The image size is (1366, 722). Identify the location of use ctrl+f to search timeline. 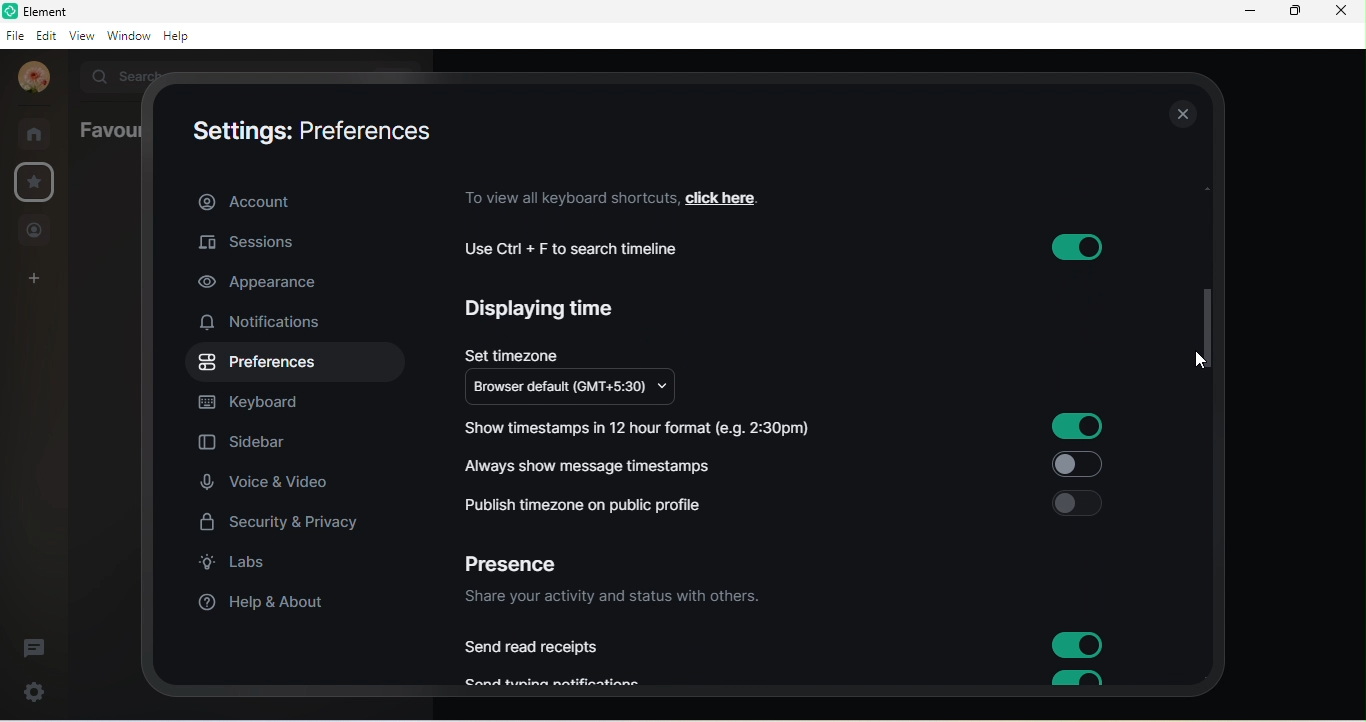
(584, 249).